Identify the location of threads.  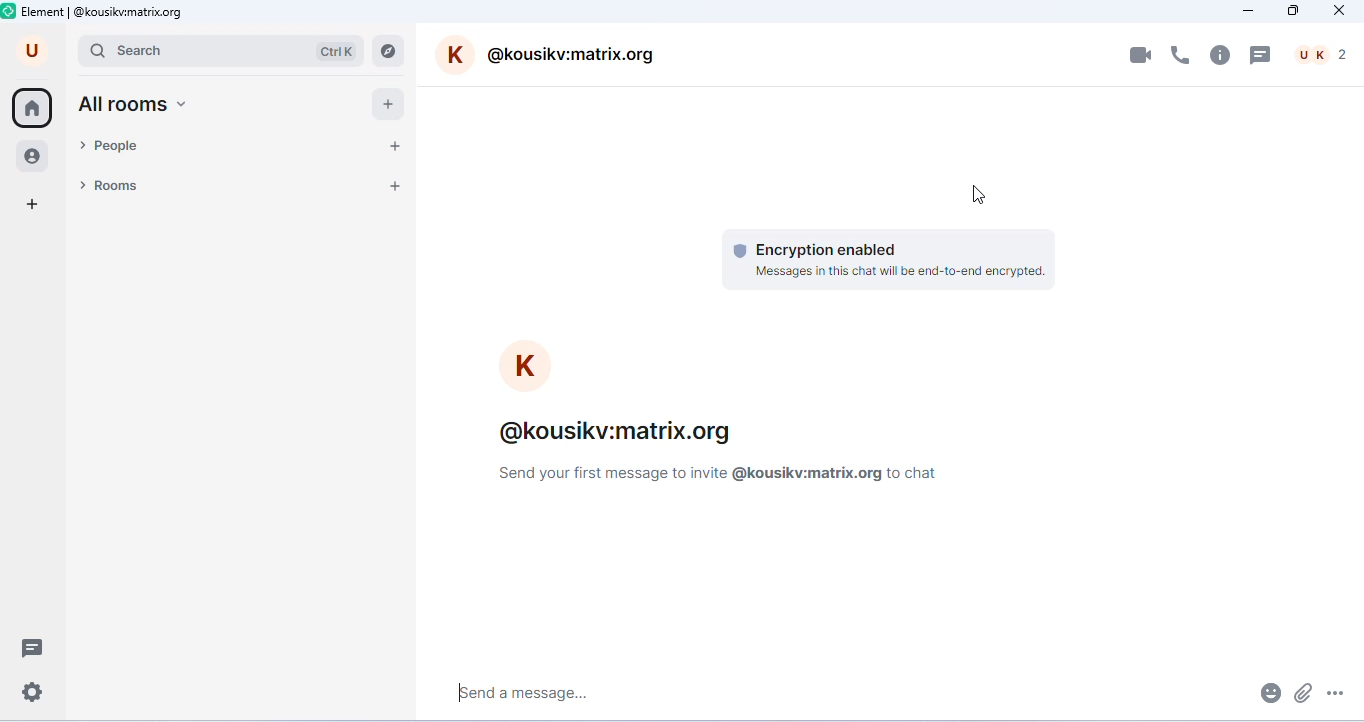
(1263, 54).